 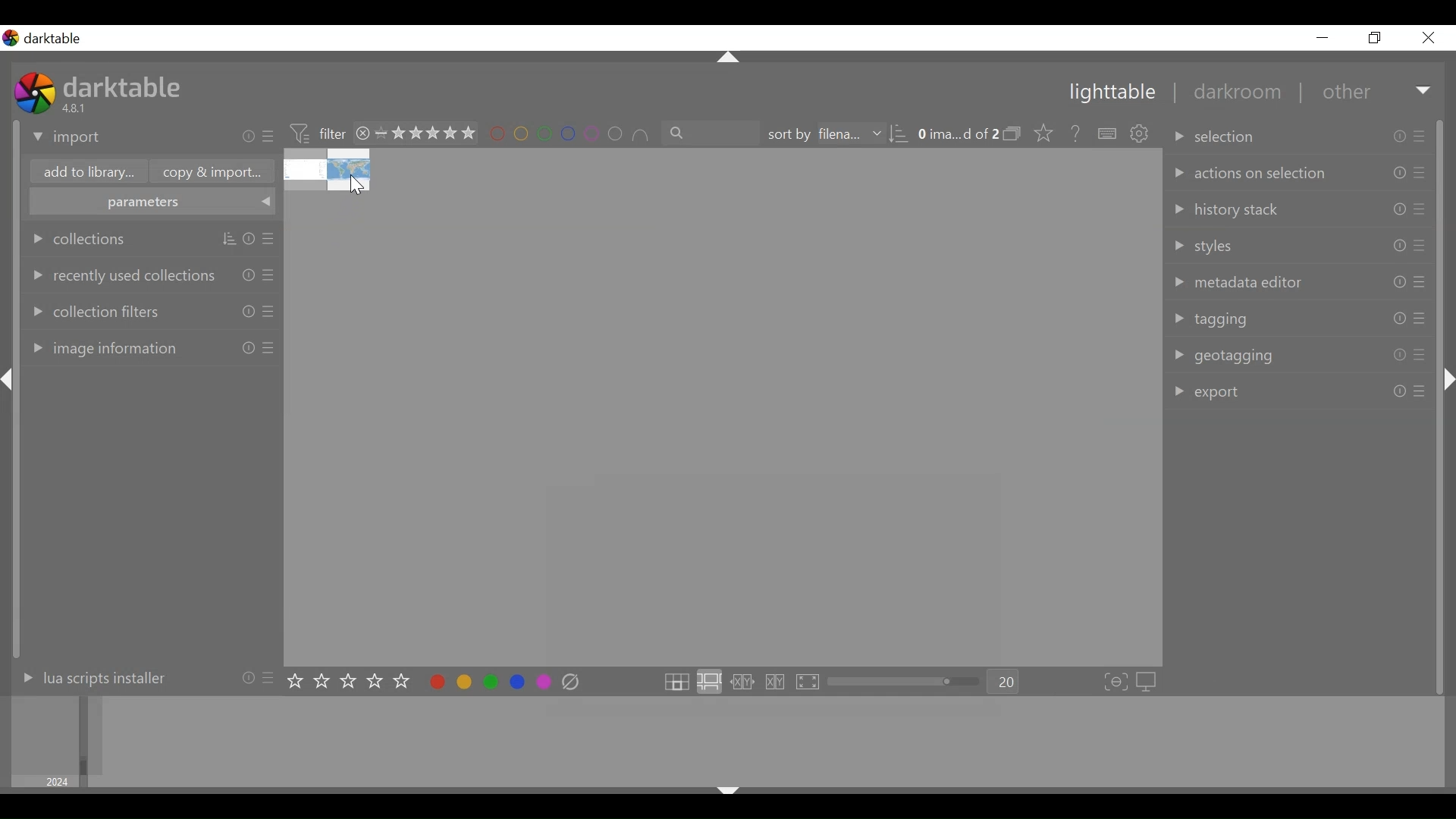 I want to click on define shortcuts, so click(x=1108, y=134).